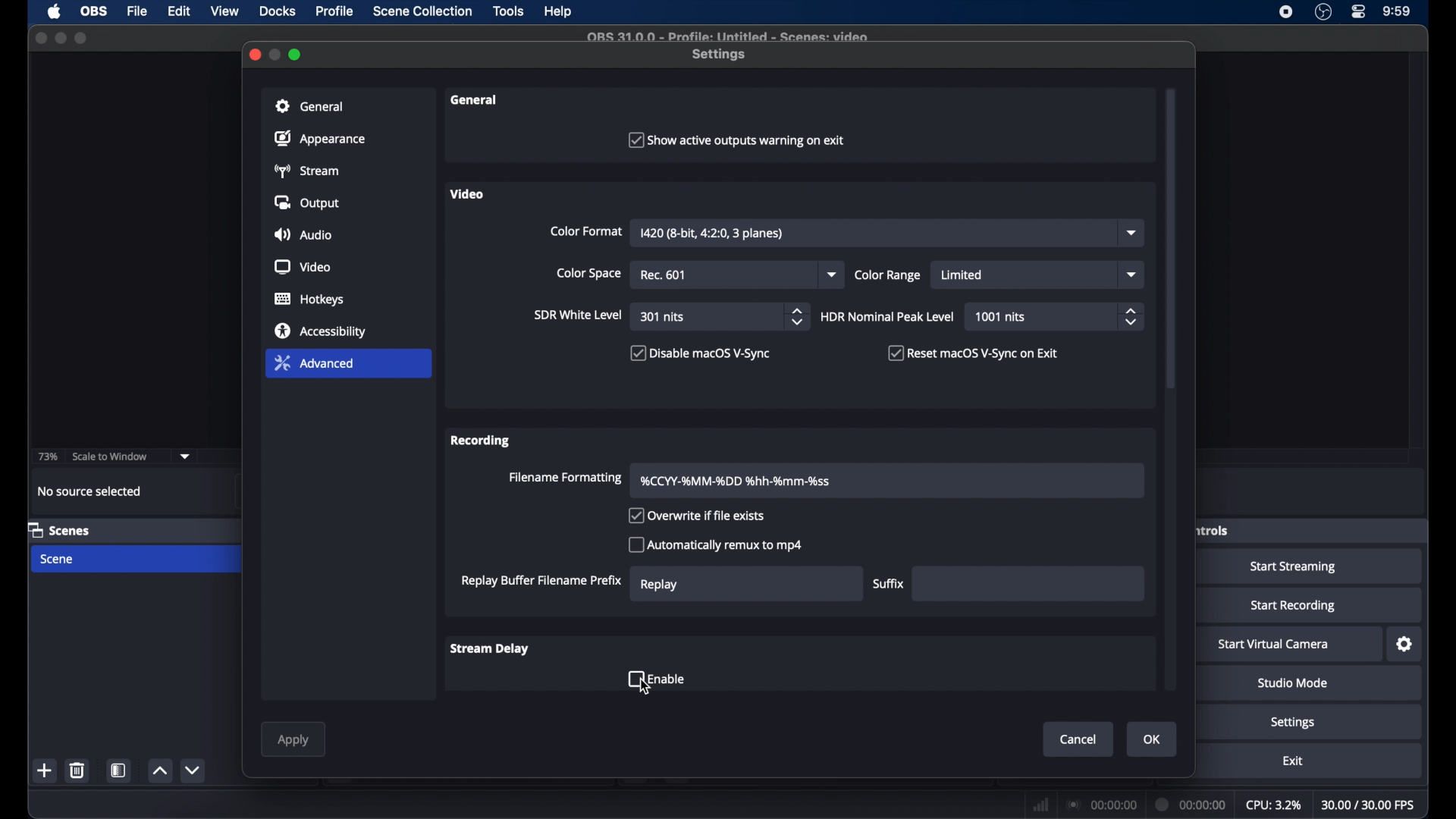  Describe the element at coordinates (720, 55) in the screenshot. I see `settings` at that location.